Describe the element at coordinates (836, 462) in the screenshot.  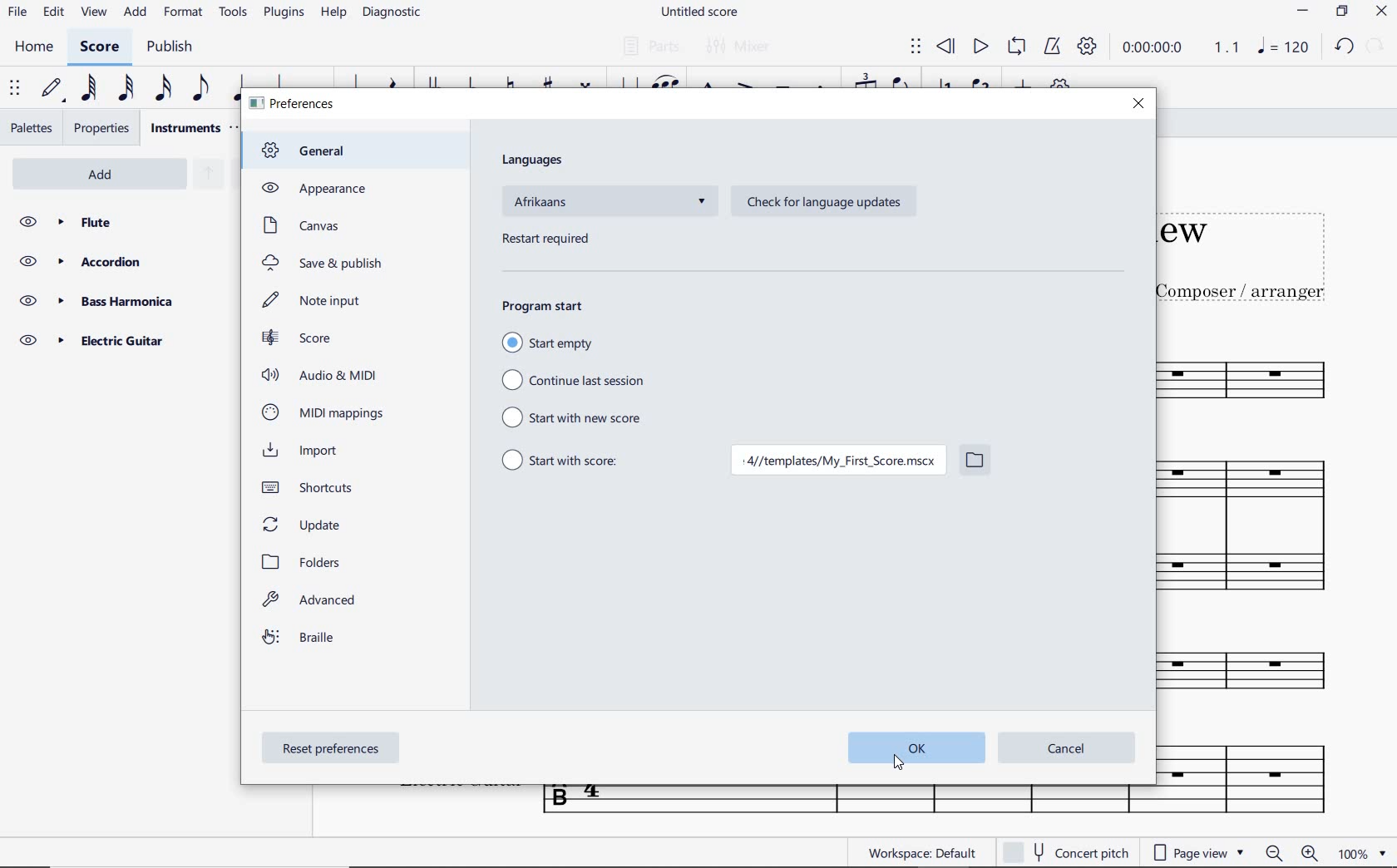
I see `path` at that location.